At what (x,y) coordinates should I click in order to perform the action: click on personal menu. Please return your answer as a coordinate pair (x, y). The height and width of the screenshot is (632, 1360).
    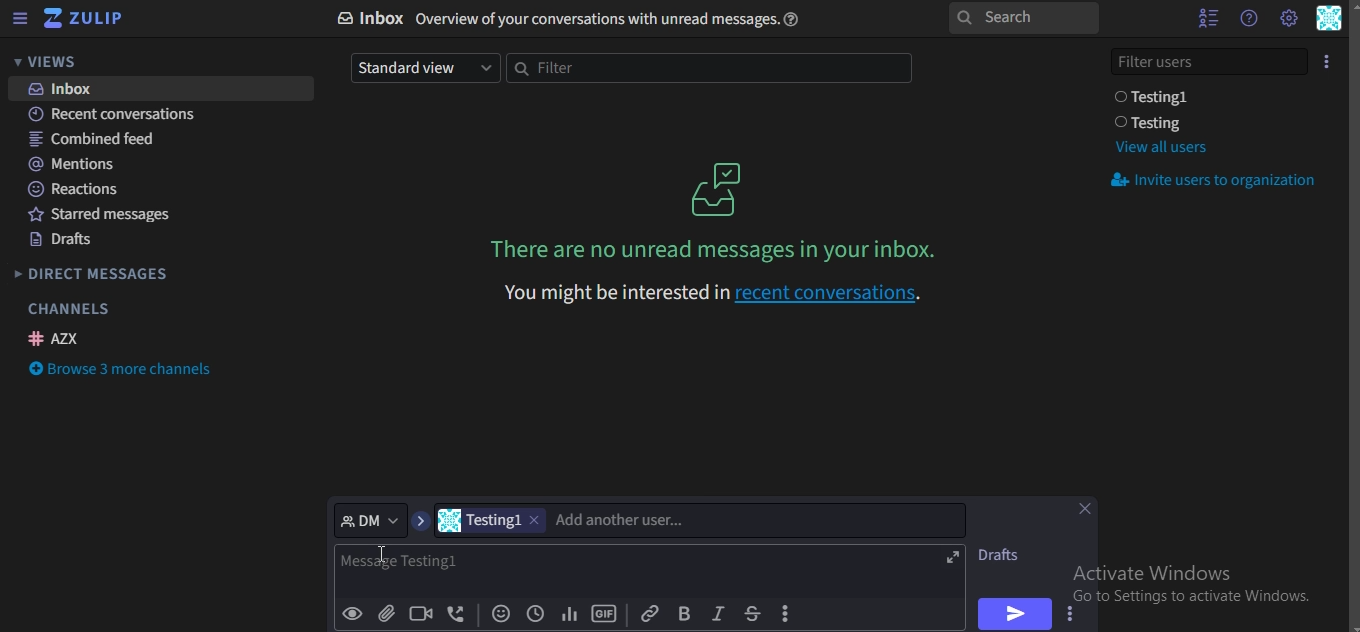
    Looking at the image, I should click on (1330, 20).